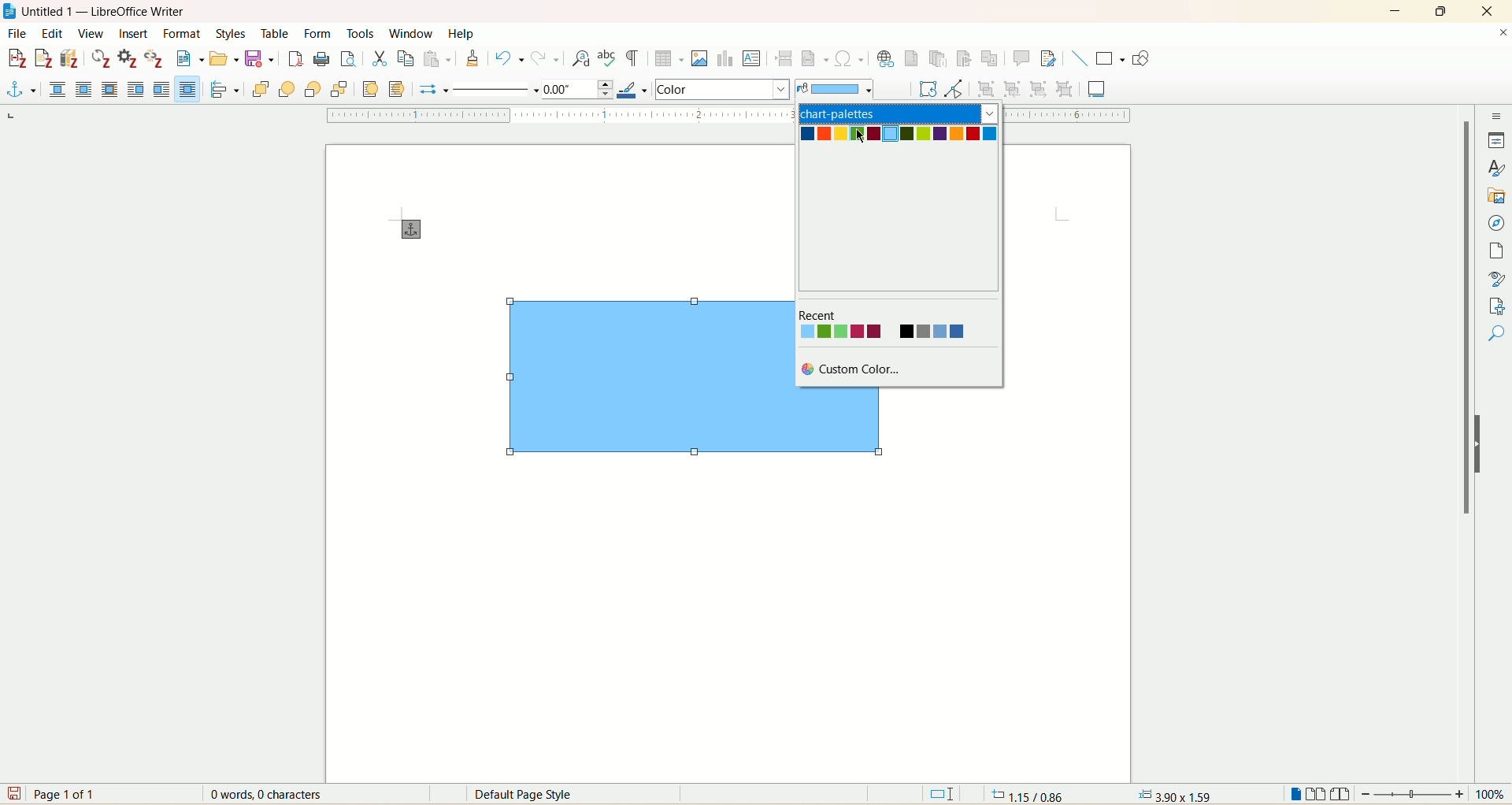 Image resolution: width=1512 pixels, height=805 pixels. What do you see at coordinates (1495, 197) in the screenshot?
I see `gallery` at bounding box center [1495, 197].